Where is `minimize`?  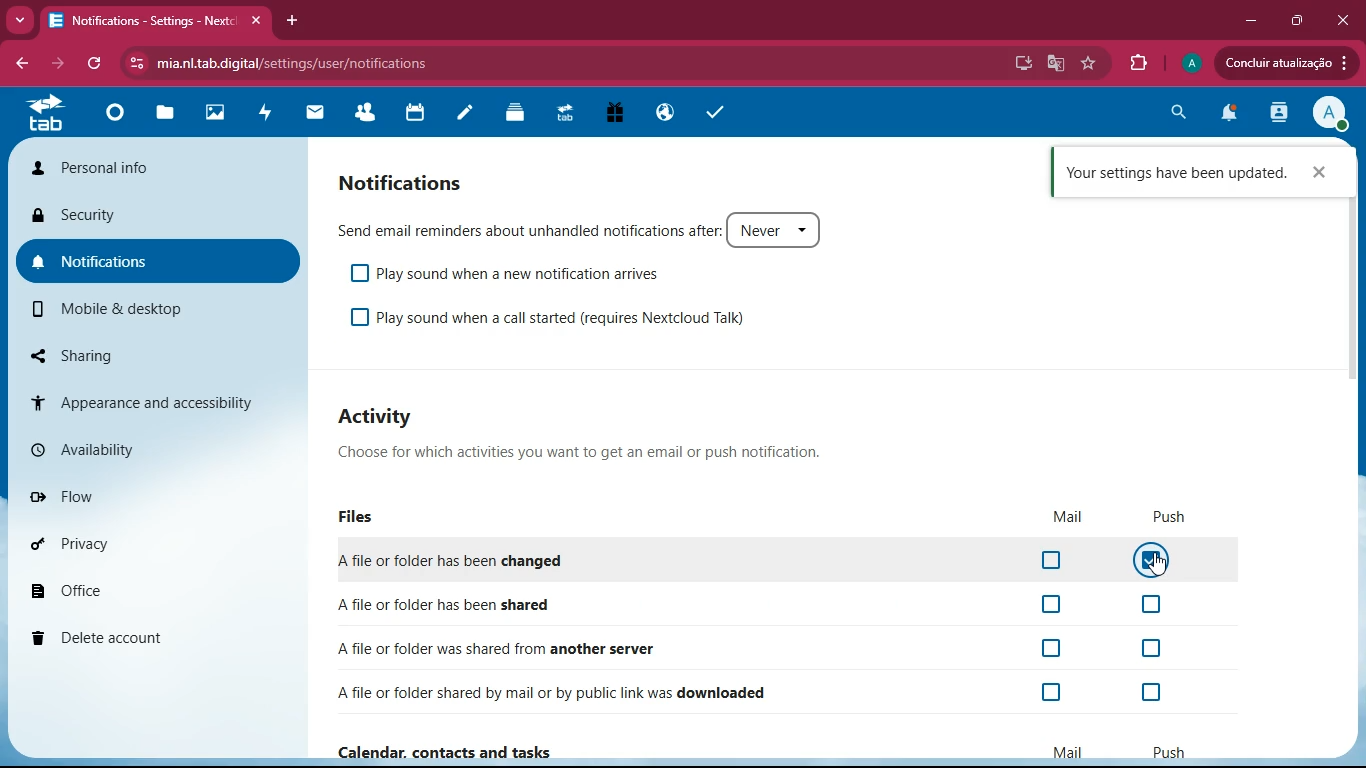 minimize is located at coordinates (1250, 19).